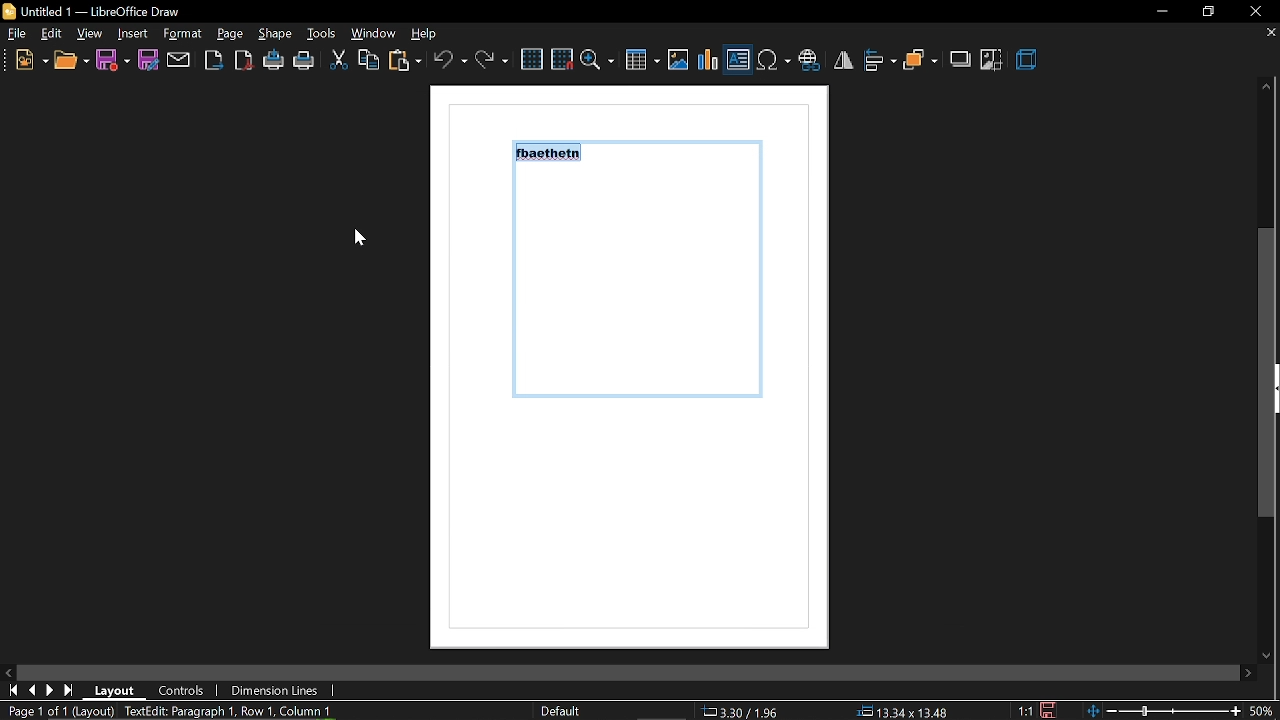  Describe the element at coordinates (70, 61) in the screenshot. I see `open` at that location.